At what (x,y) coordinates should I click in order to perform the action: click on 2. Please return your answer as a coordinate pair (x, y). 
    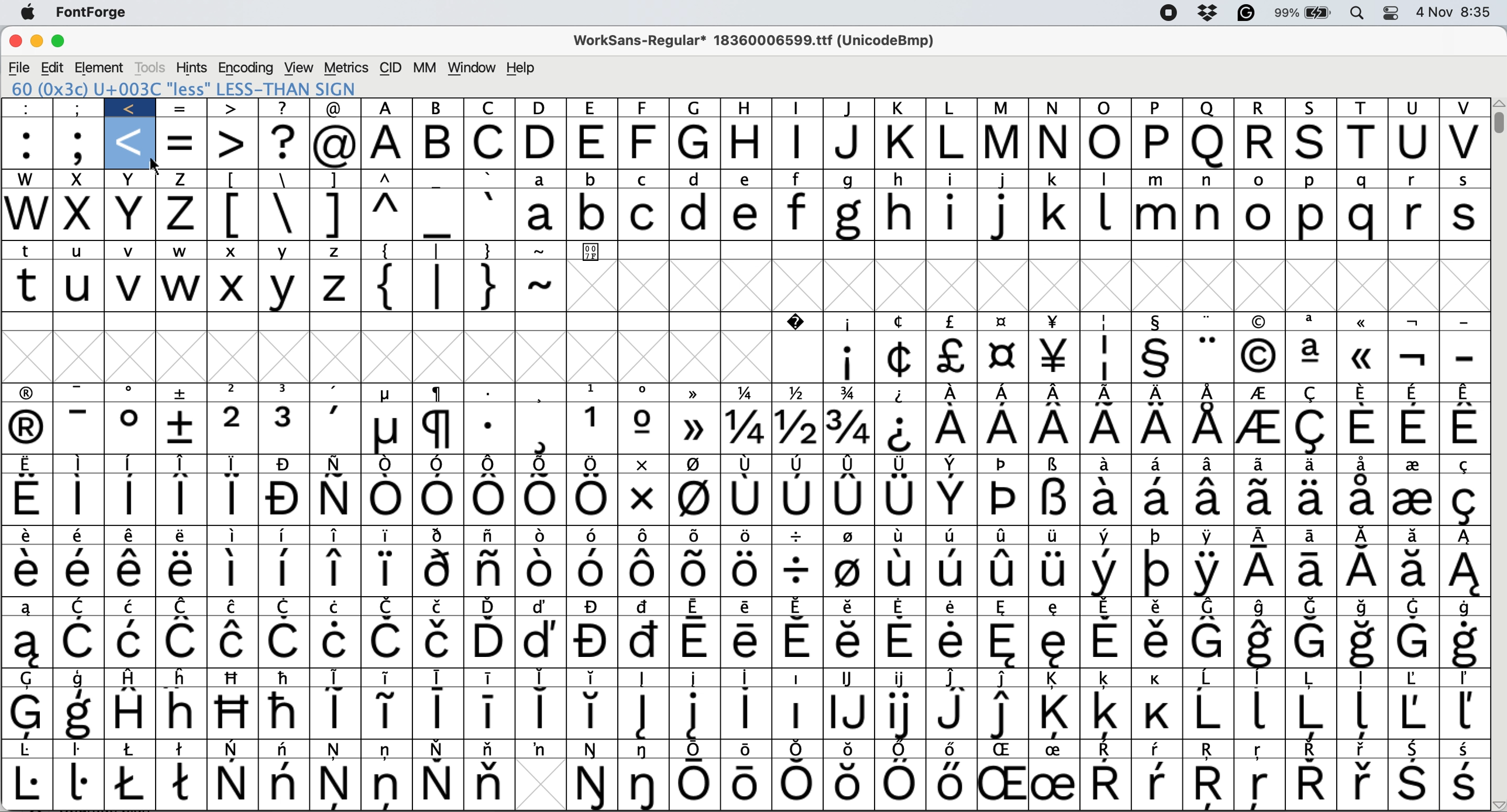
    Looking at the image, I should click on (234, 392).